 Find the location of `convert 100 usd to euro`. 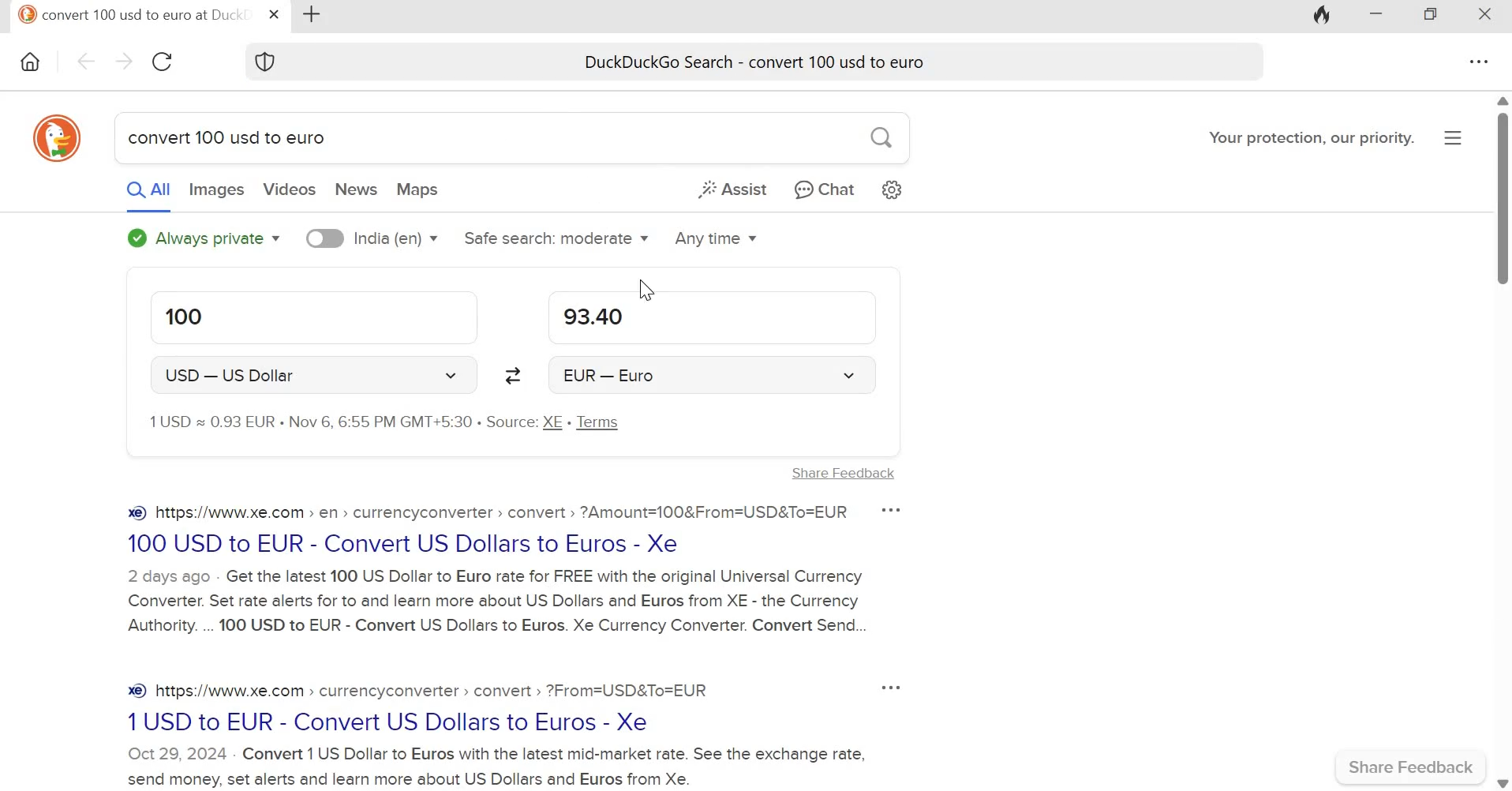

convert 100 usd to euro is located at coordinates (232, 140).